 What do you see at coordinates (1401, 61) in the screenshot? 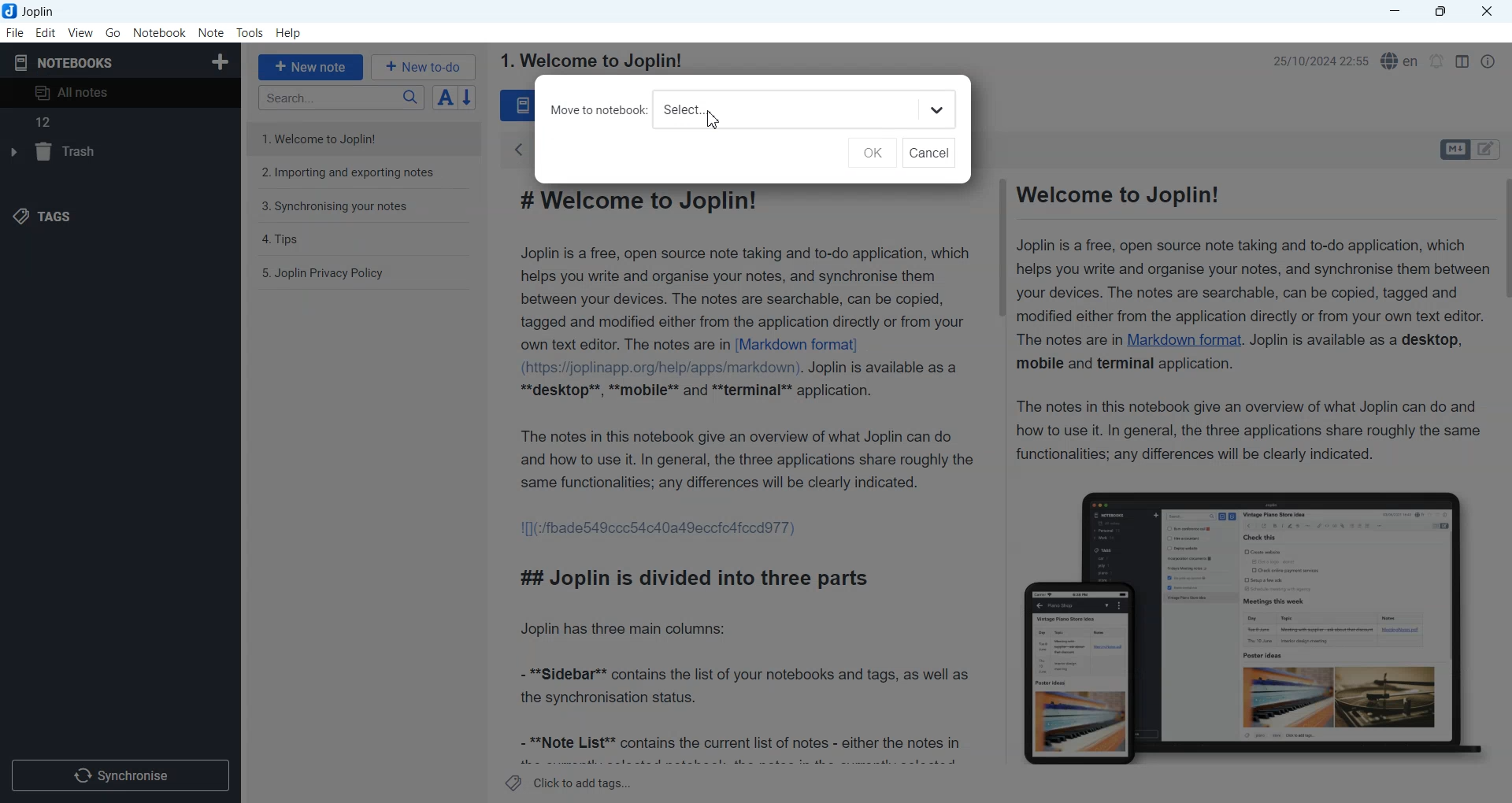
I see `Spell checker` at bounding box center [1401, 61].